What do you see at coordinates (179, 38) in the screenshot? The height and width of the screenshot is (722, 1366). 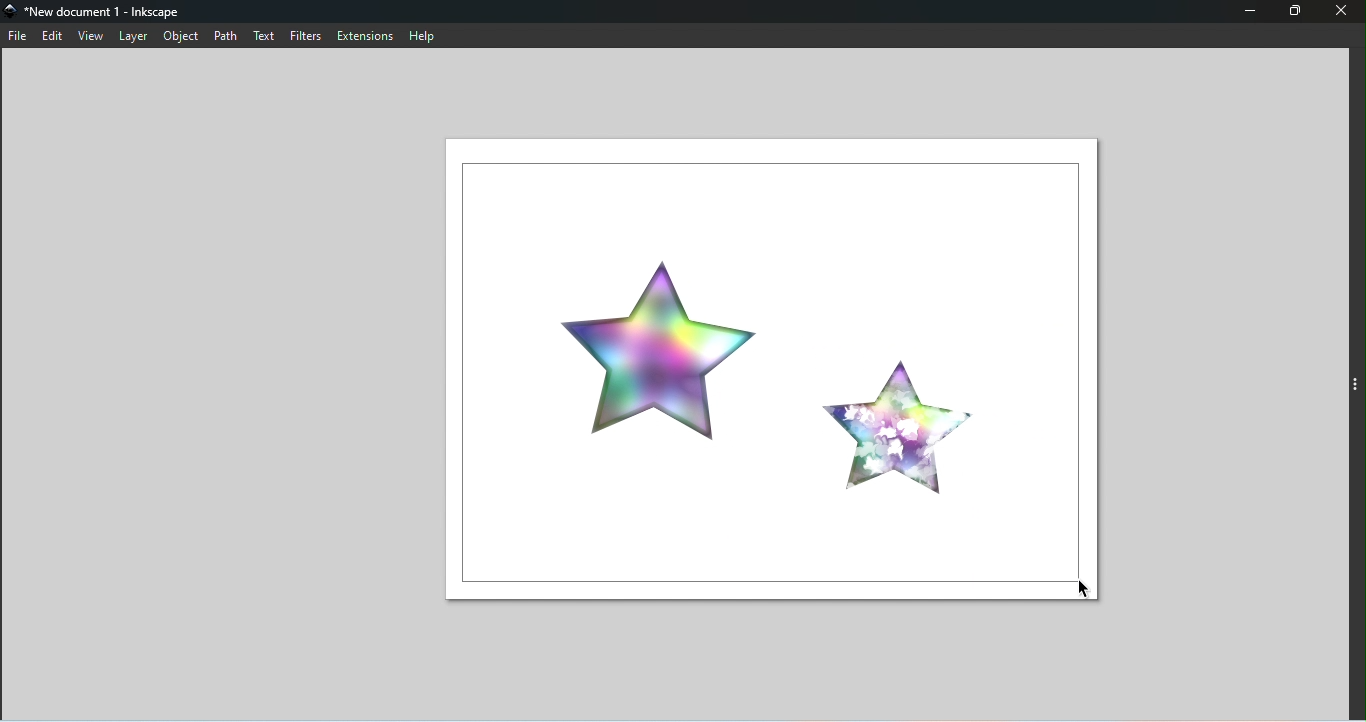 I see `Object` at bounding box center [179, 38].